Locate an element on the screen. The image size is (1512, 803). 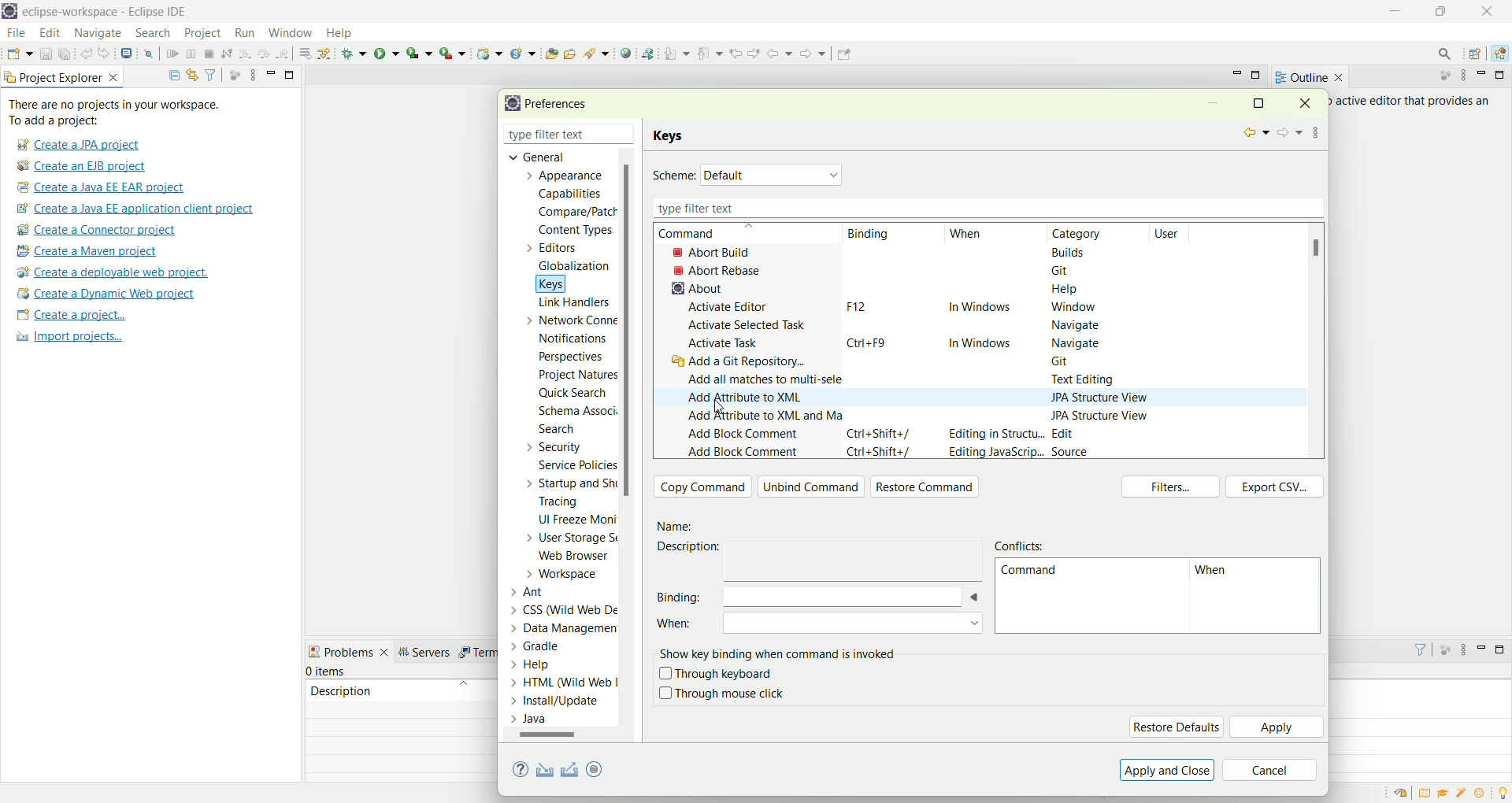
project explorer is located at coordinates (63, 76).